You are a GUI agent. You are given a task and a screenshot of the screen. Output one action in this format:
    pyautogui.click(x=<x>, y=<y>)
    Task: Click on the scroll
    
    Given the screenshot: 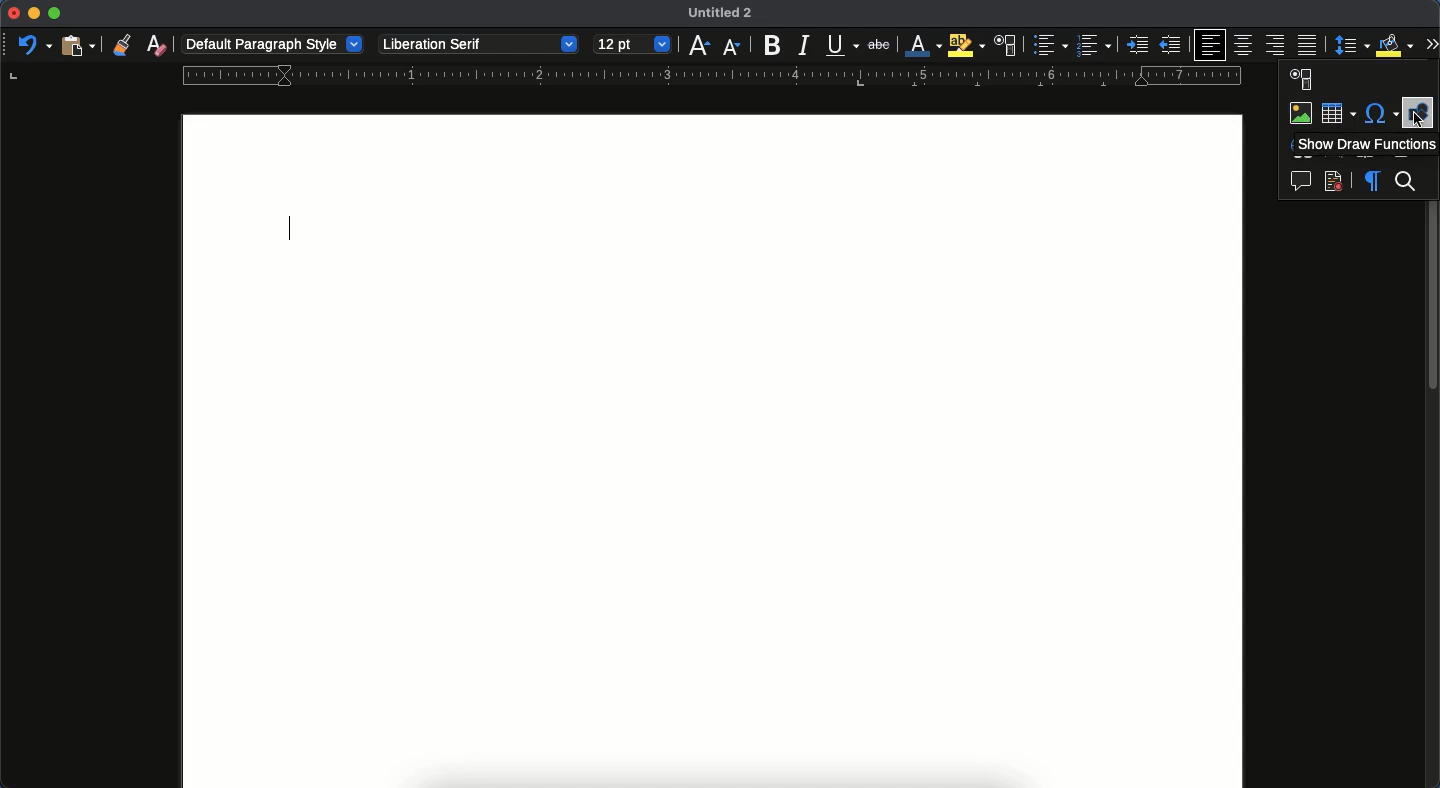 What is the action you would take?
    pyautogui.click(x=1433, y=492)
    